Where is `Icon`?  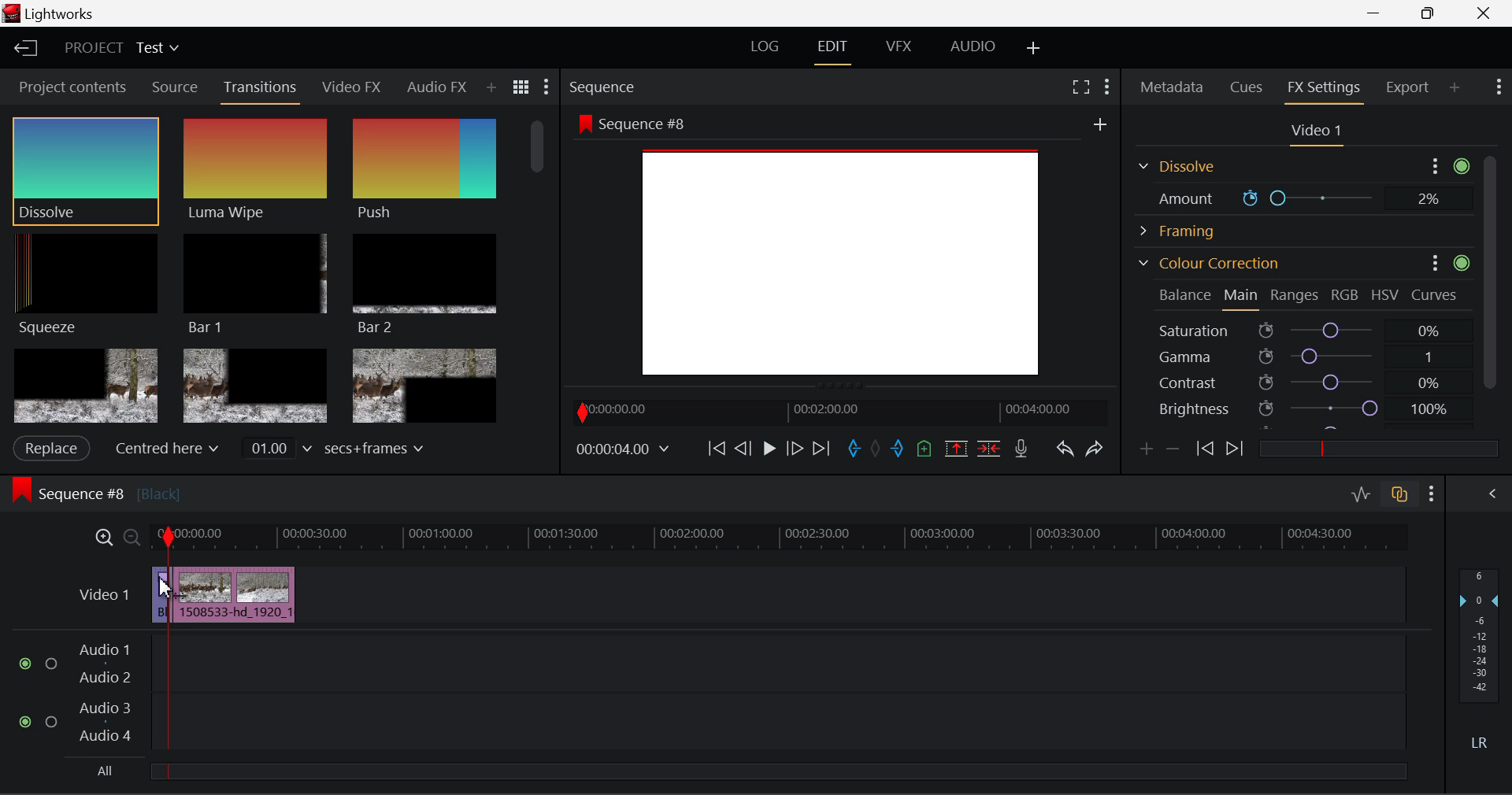 Icon is located at coordinates (1461, 166).